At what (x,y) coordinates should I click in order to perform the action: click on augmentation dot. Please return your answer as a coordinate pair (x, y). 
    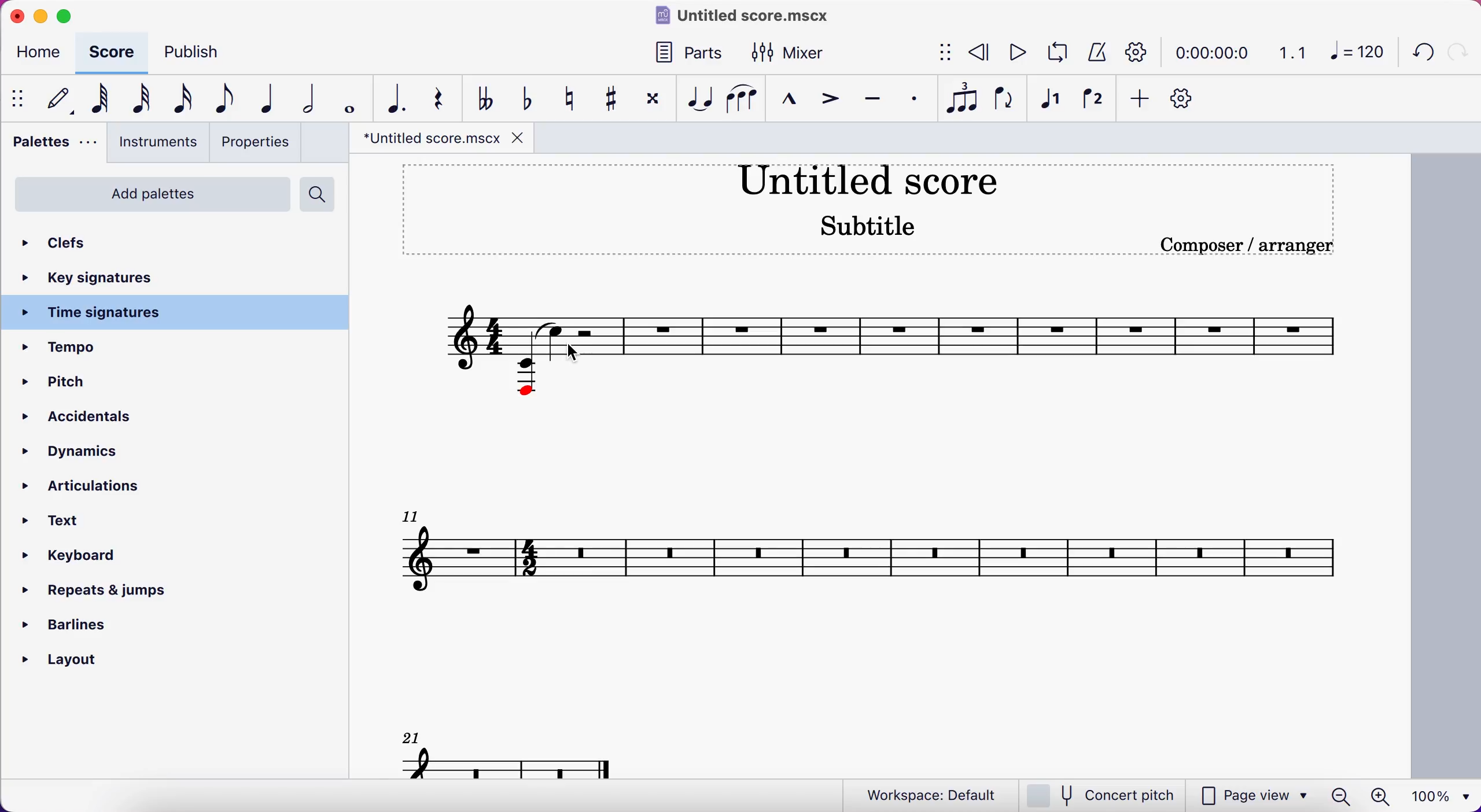
    Looking at the image, I should click on (401, 98).